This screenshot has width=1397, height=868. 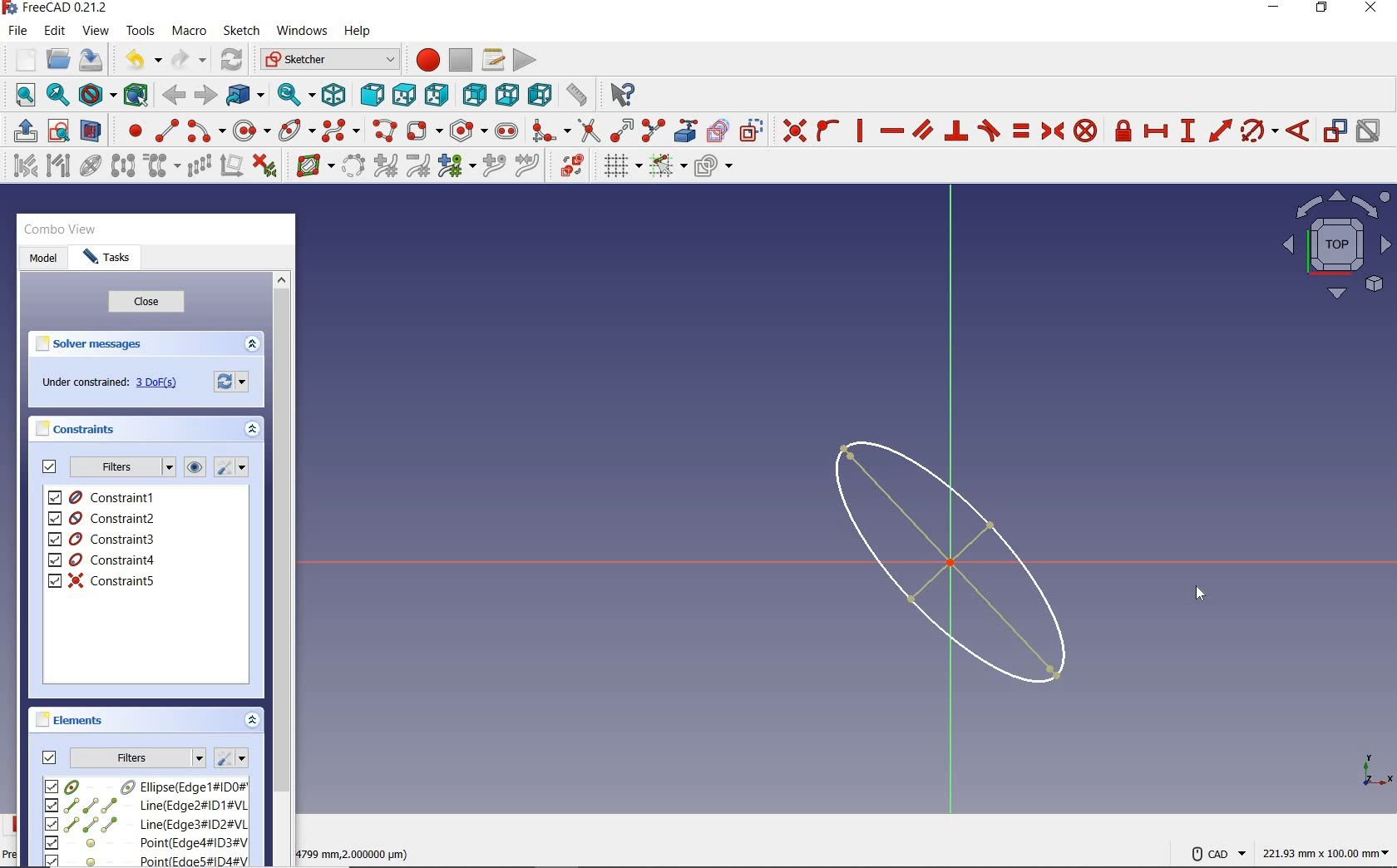 What do you see at coordinates (102, 560) in the screenshot?
I see `constraint4` at bounding box center [102, 560].